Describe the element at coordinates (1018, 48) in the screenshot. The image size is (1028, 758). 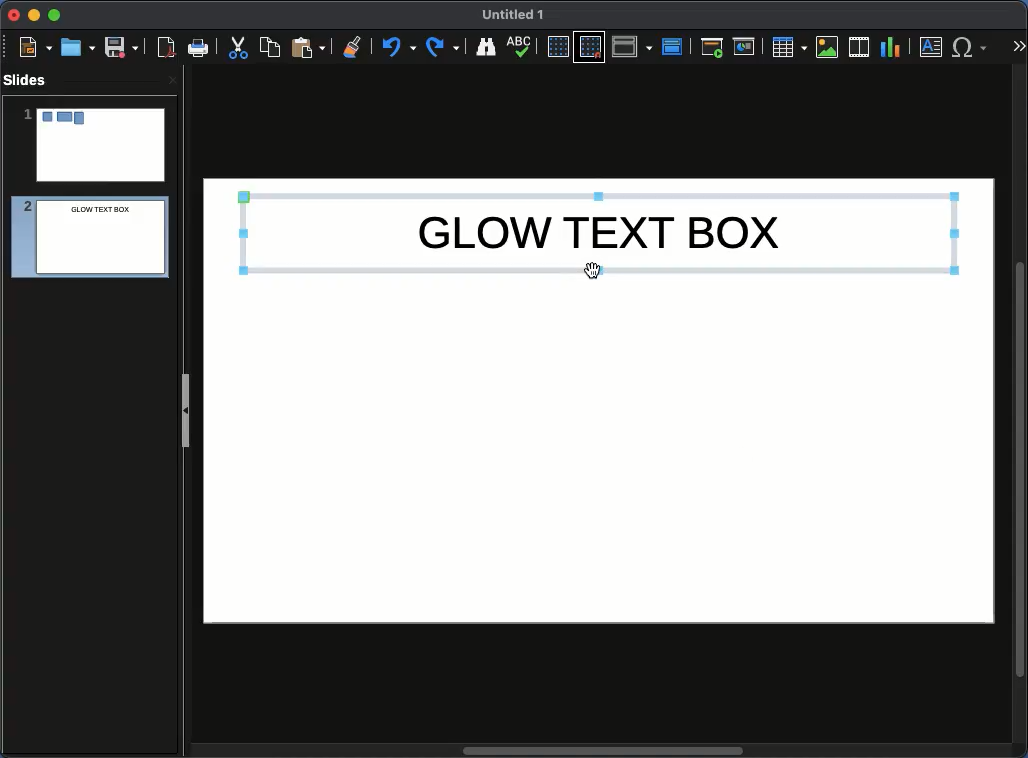
I see `More` at that location.